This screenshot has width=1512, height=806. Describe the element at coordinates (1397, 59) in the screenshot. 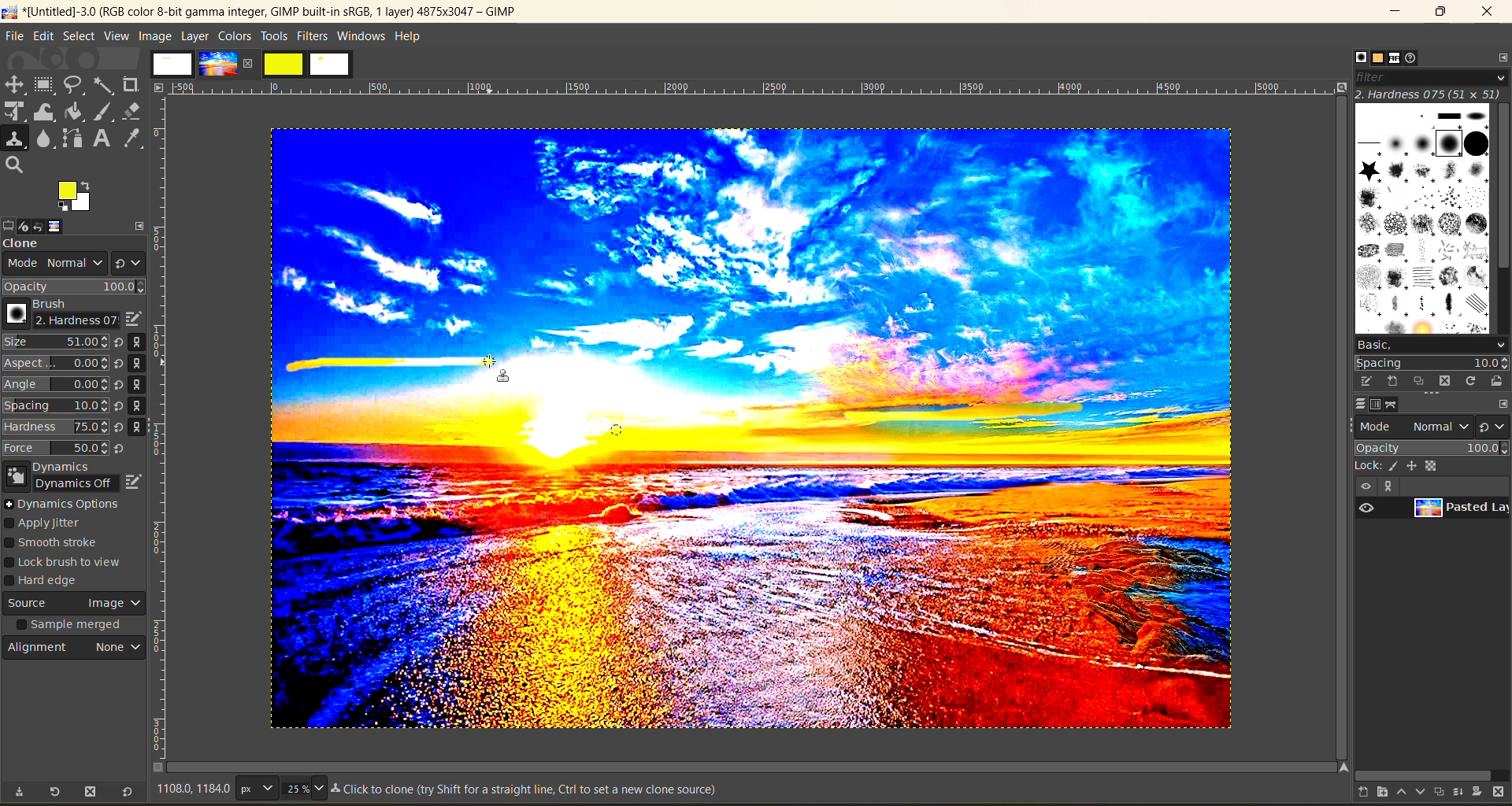

I see `fonts` at that location.